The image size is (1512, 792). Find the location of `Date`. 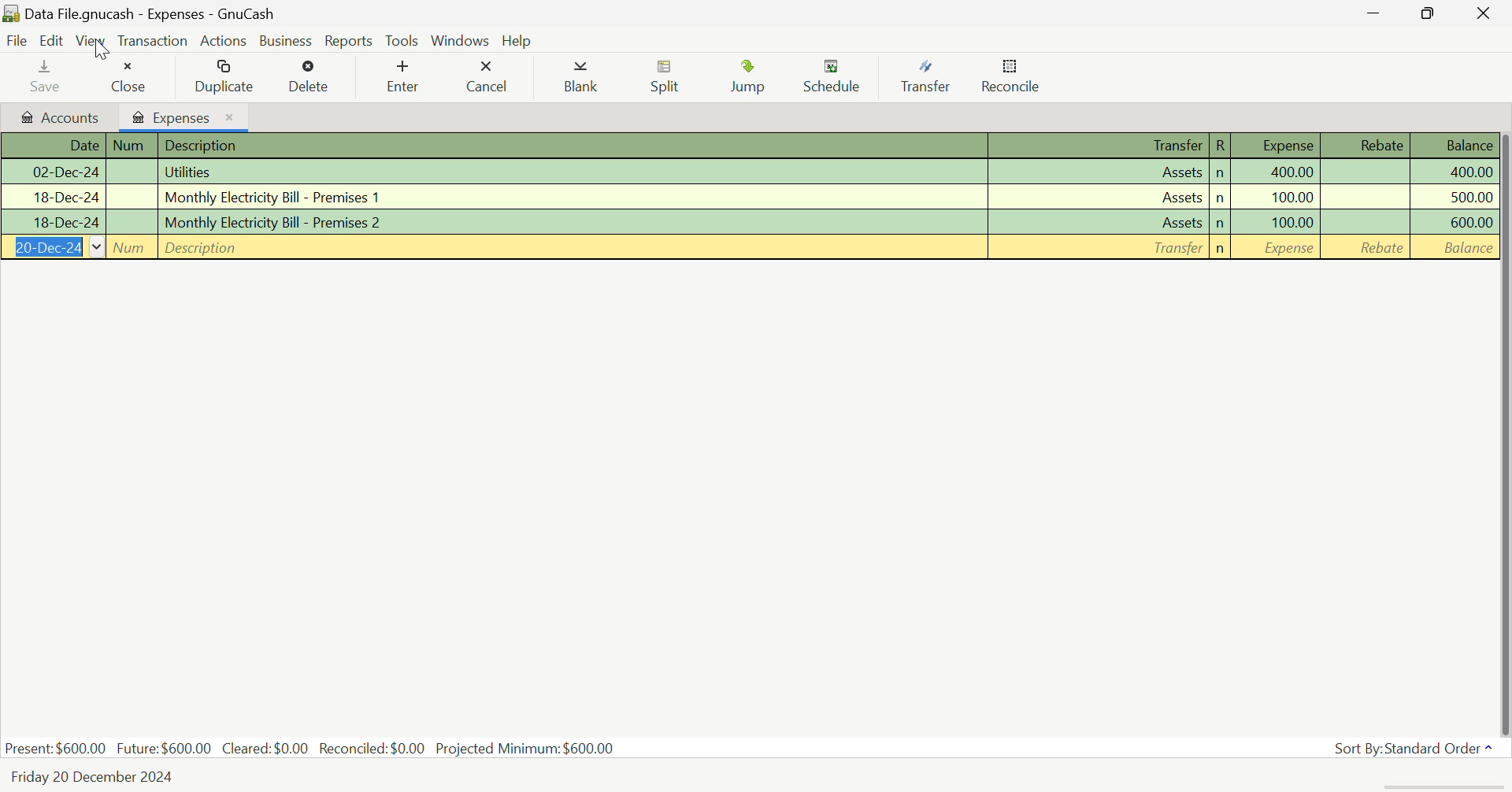

Date is located at coordinates (51, 248).